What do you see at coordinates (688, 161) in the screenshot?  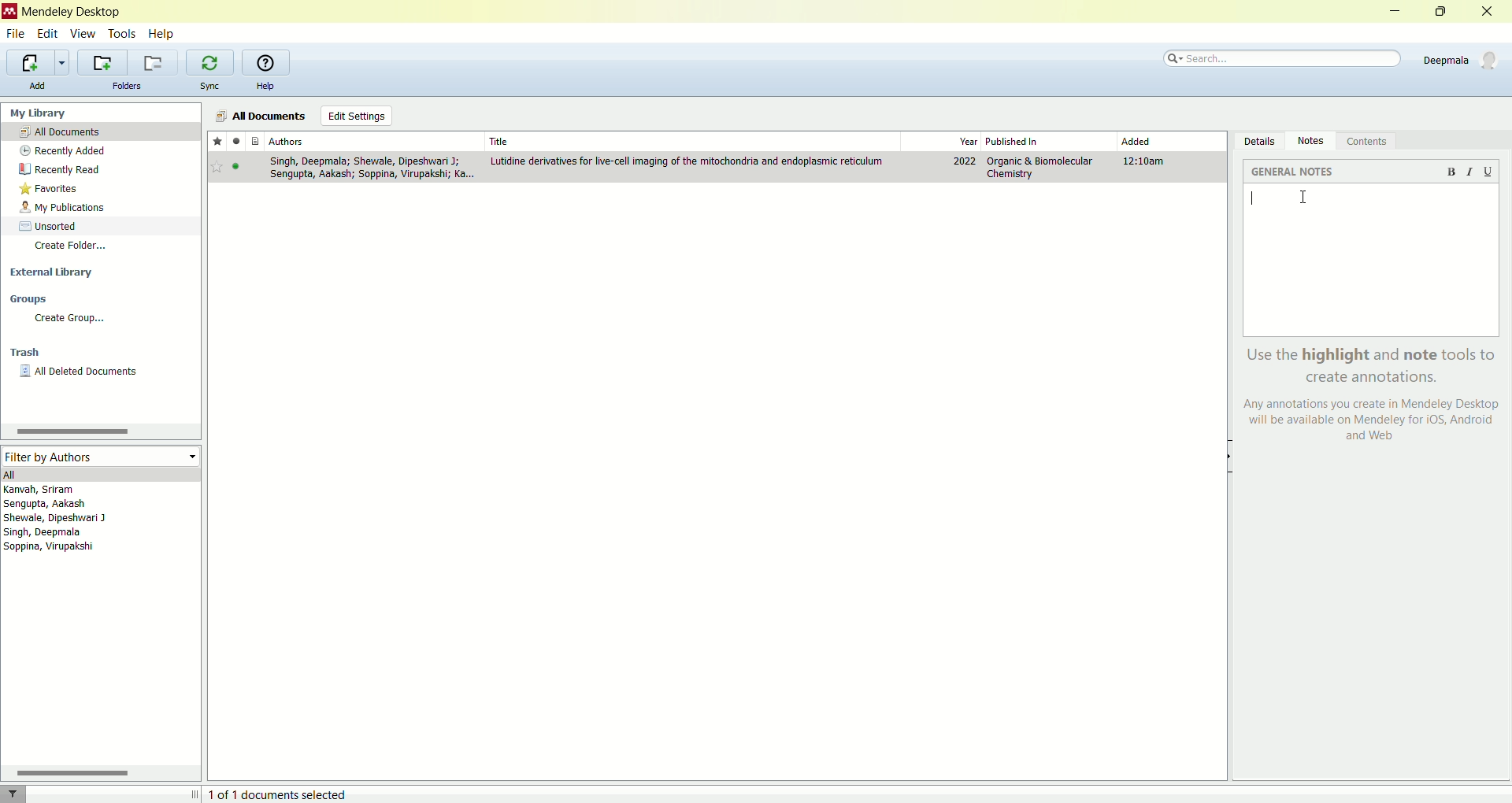 I see `Lutidine derivatives for live-cell imaging of the mitochondria and endoplasmic reticulum` at bounding box center [688, 161].